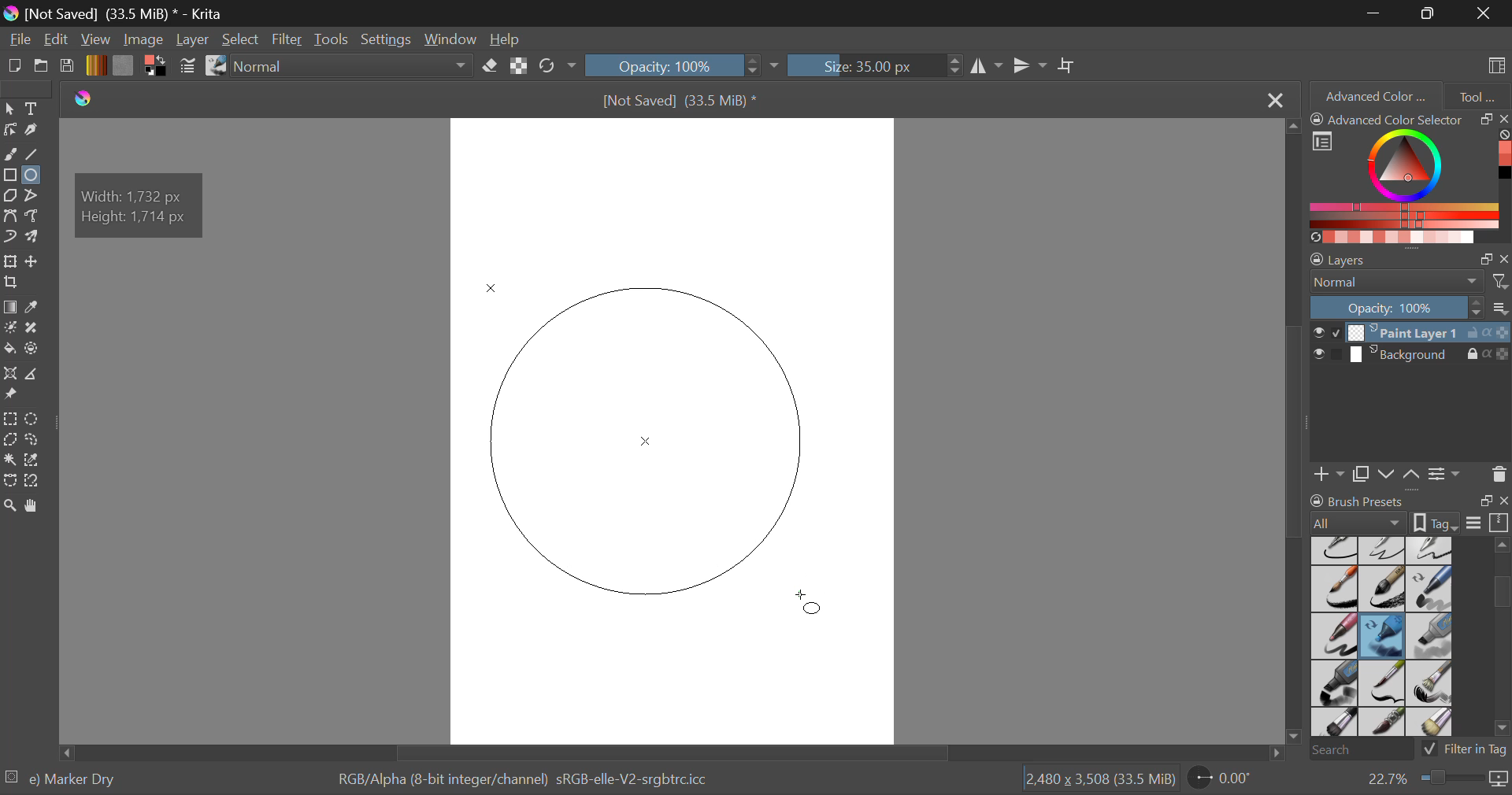 This screenshot has height=795, width=1512. I want to click on Fill, so click(9, 346).